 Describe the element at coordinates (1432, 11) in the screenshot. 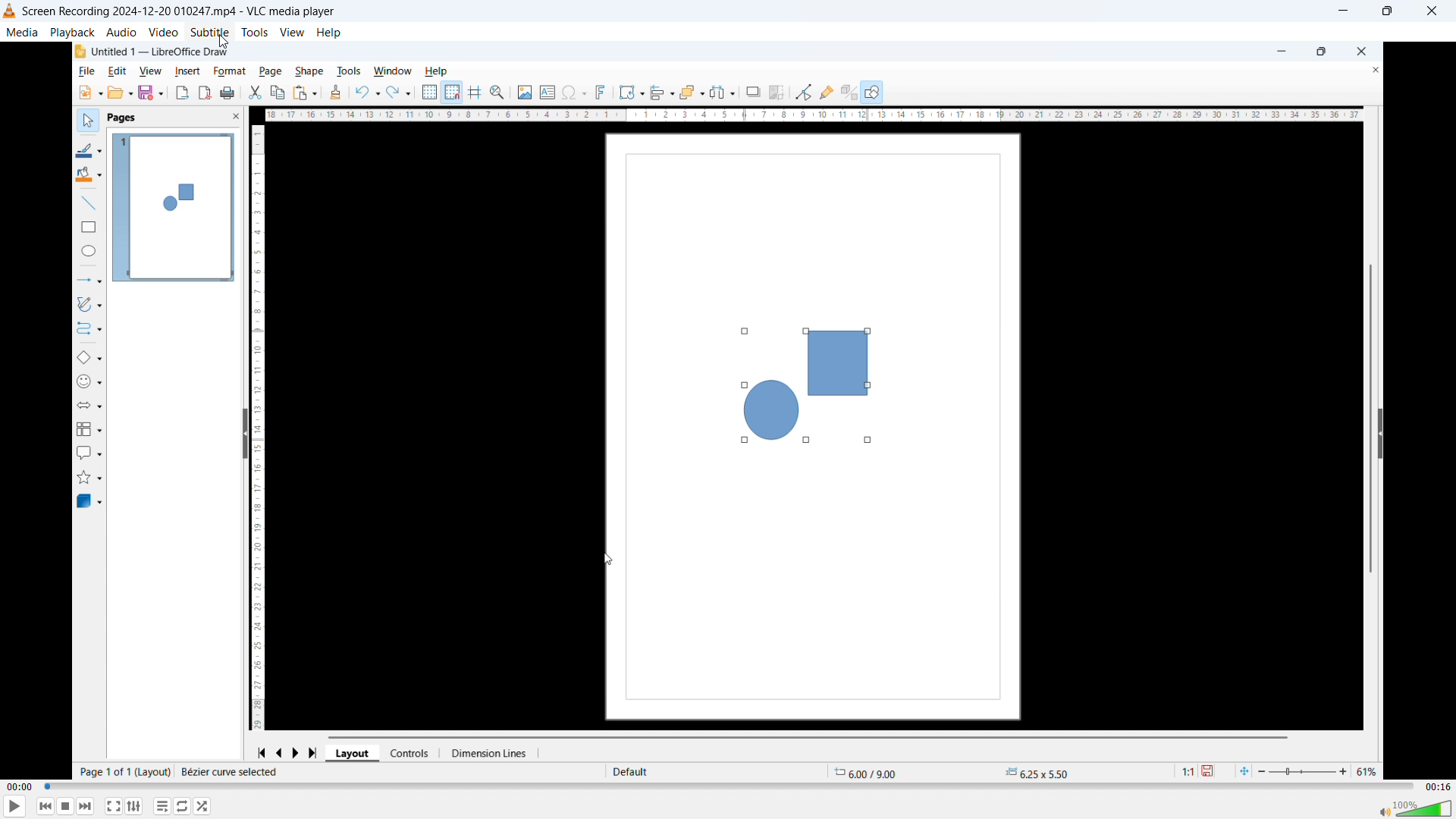

I see `close ` at that location.